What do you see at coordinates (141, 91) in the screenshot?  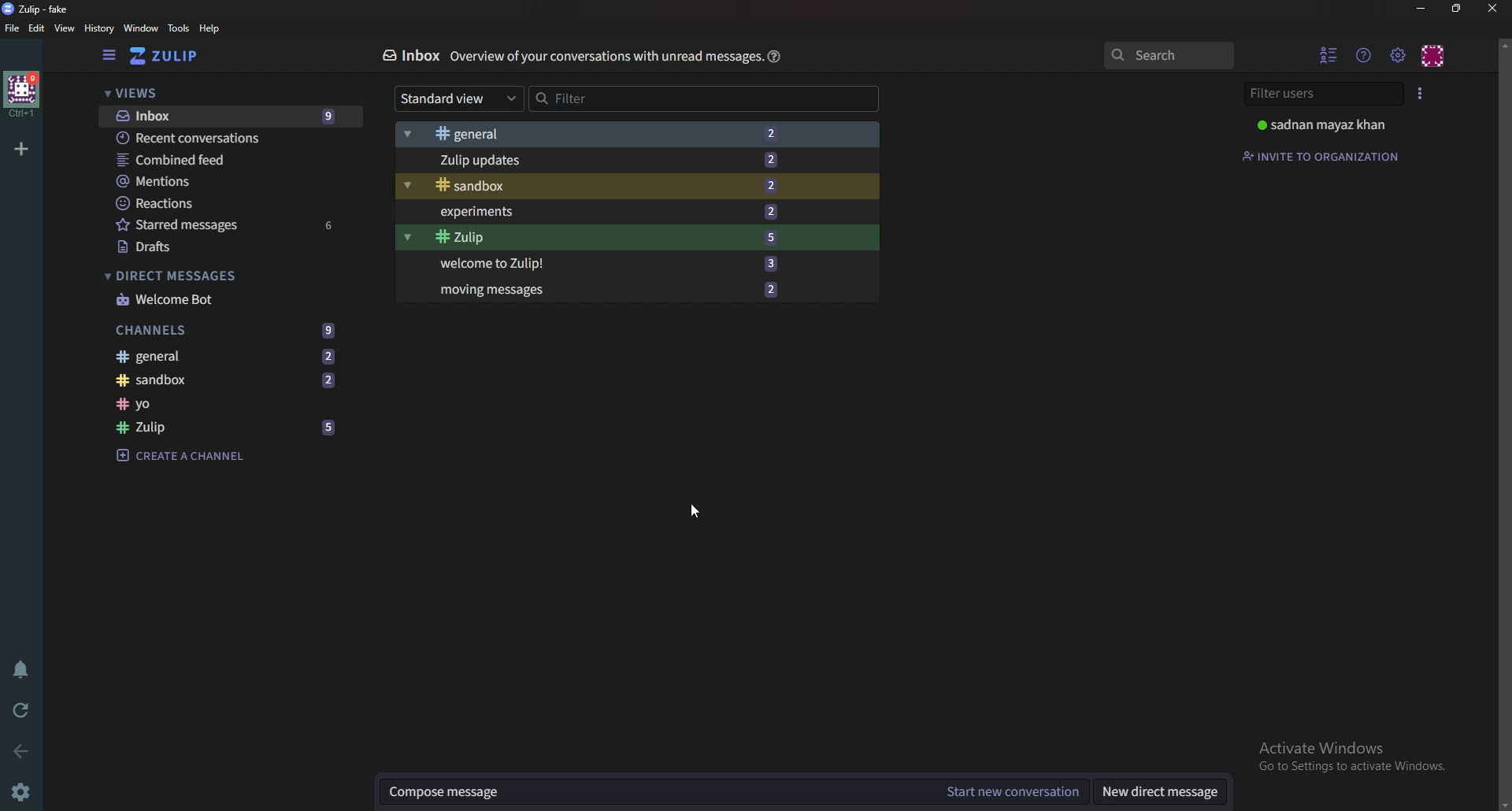 I see `Views` at bounding box center [141, 91].